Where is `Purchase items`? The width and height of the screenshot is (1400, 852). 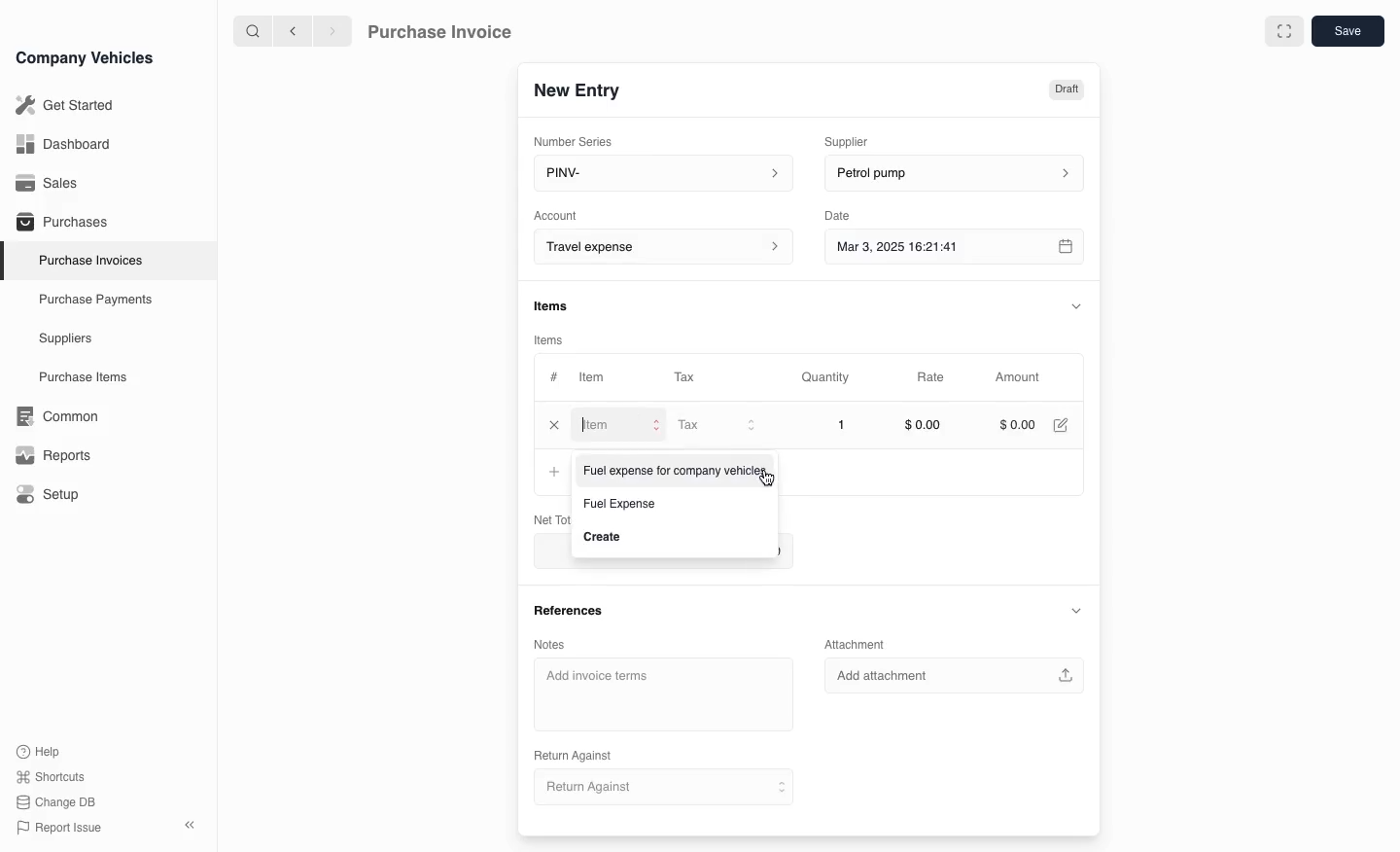
Purchase items is located at coordinates (76, 377).